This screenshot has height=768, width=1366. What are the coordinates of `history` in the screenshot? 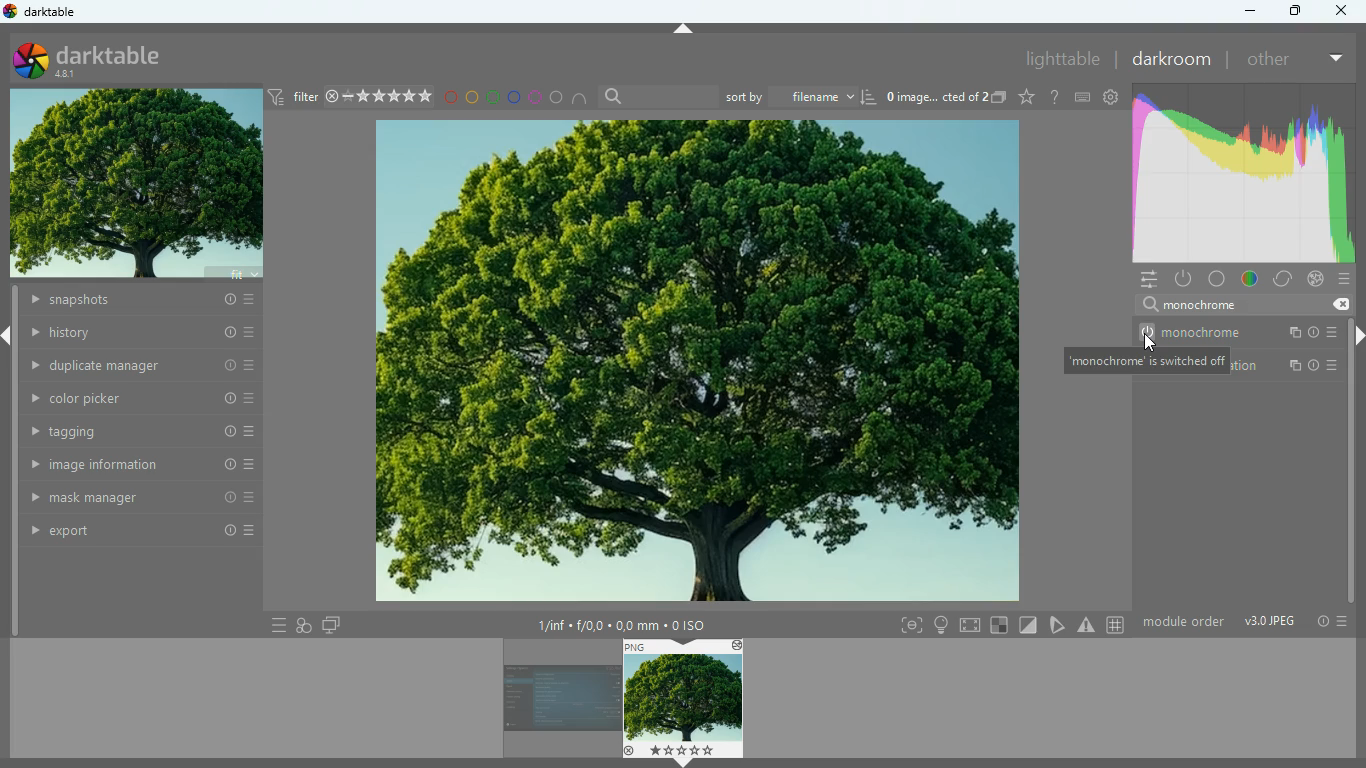 It's located at (144, 333).